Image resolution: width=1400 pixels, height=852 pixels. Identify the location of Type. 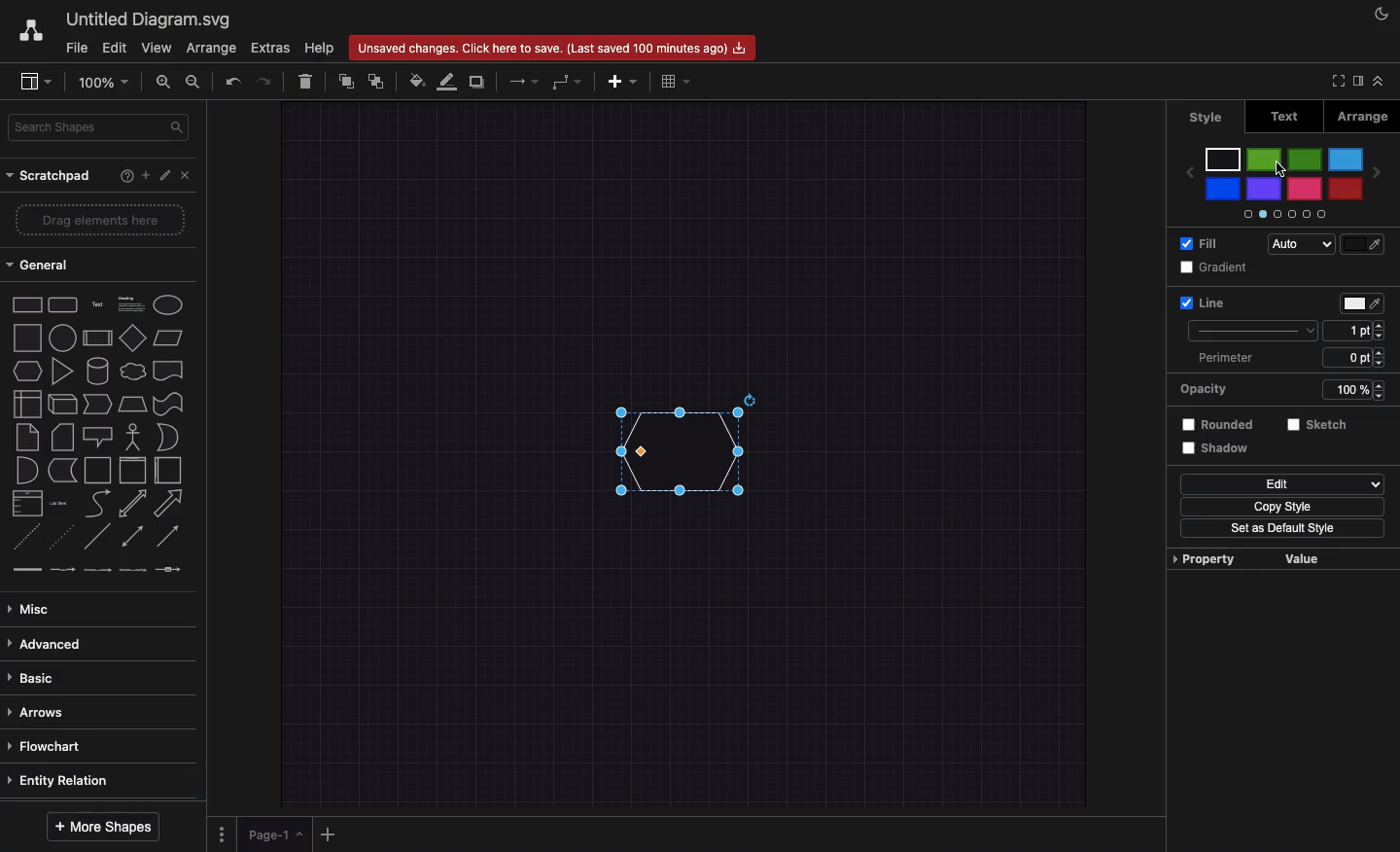
(1248, 331).